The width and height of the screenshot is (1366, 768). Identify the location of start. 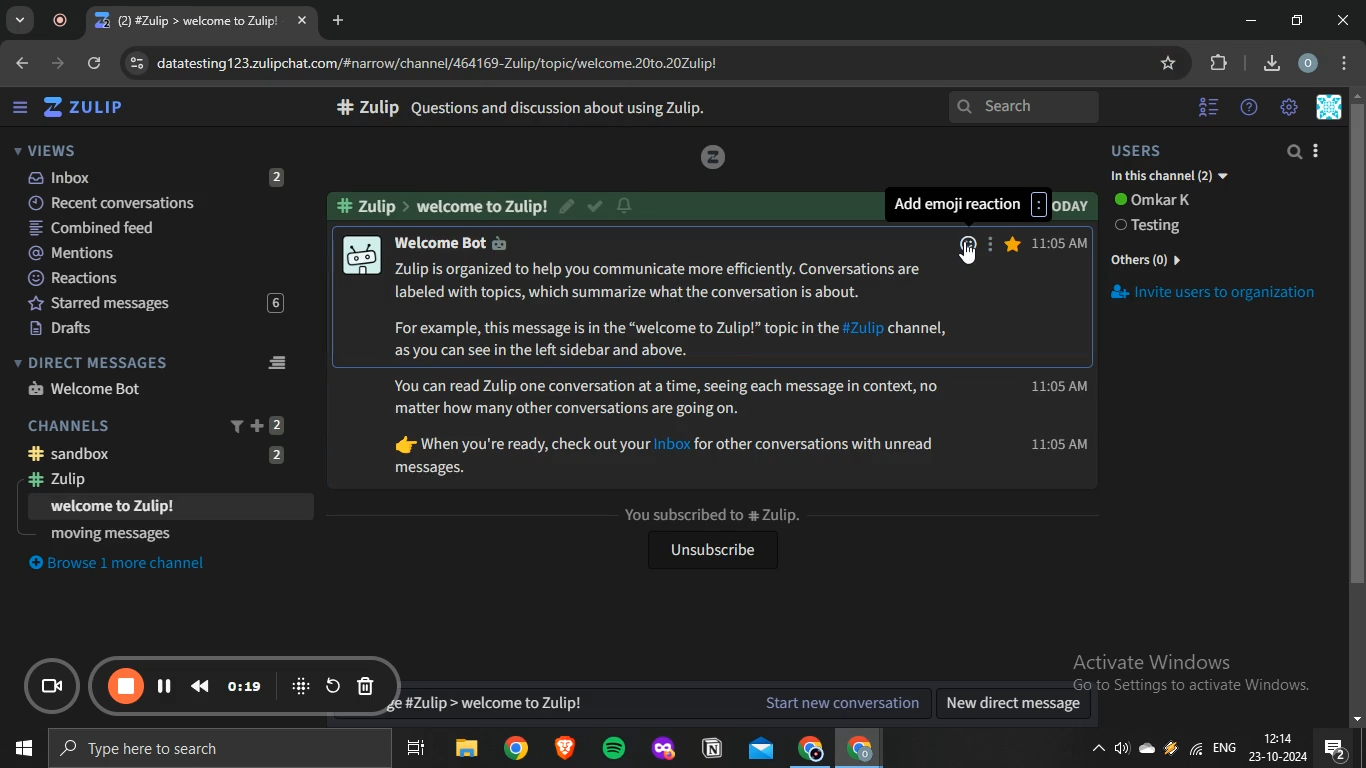
(20, 751).